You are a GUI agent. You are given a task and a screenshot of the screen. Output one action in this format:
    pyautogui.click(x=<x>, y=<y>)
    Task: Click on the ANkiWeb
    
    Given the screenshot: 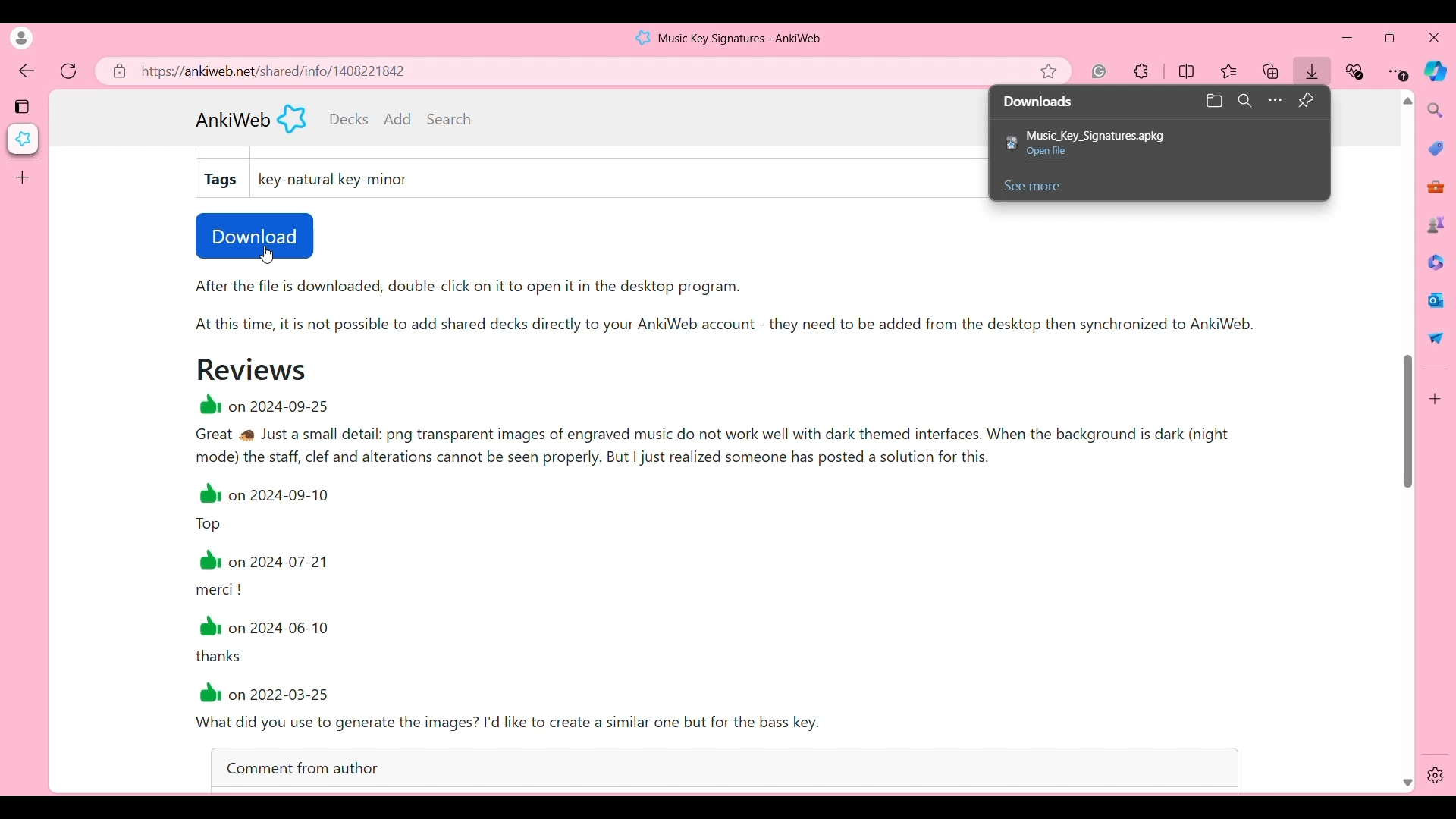 What is the action you would take?
    pyautogui.click(x=233, y=120)
    